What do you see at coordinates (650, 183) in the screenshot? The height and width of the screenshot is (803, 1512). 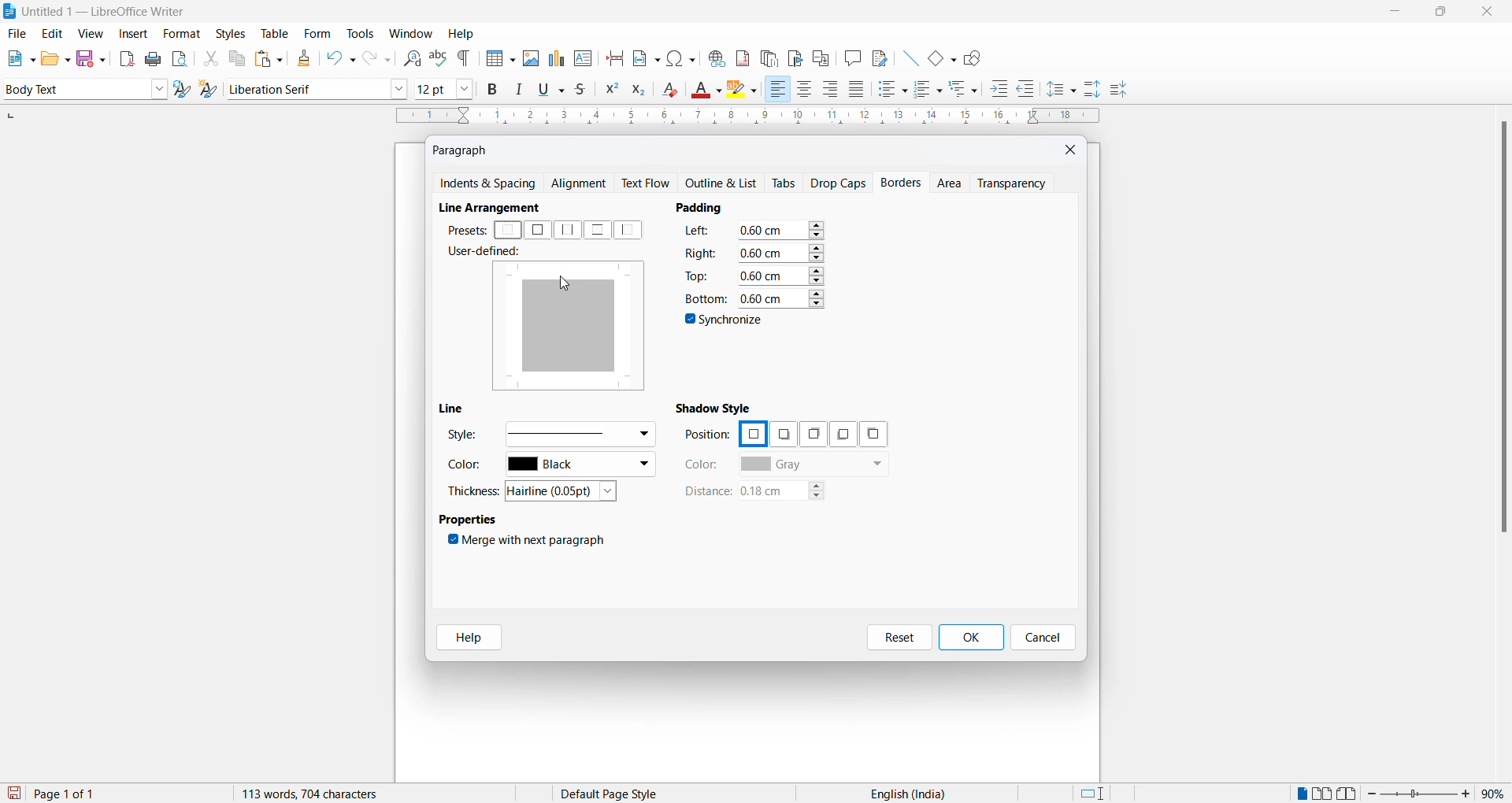 I see `text flow` at bounding box center [650, 183].